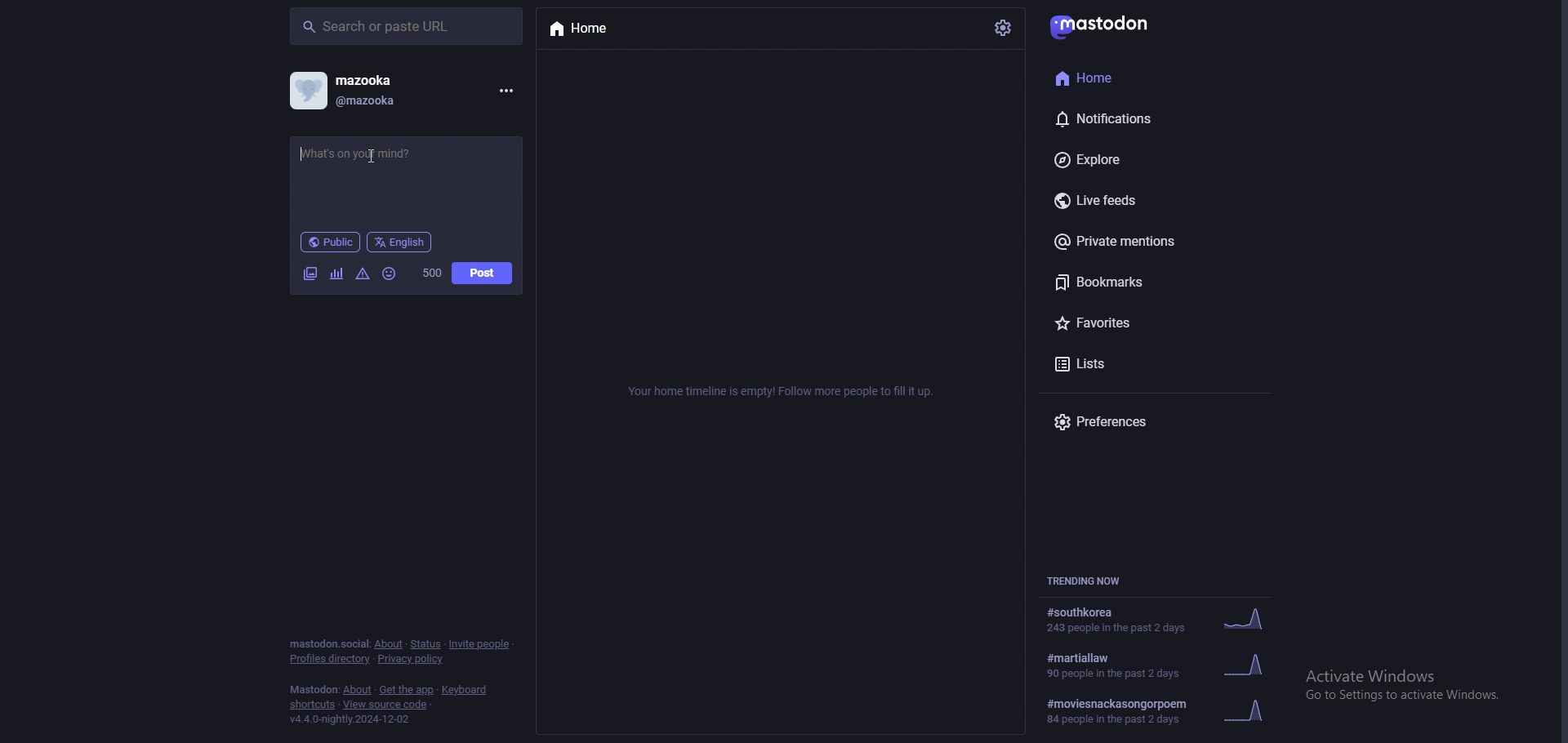 Image resolution: width=1568 pixels, height=743 pixels. Describe the element at coordinates (1099, 28) in the screenshot. I see `mastodon` at that location.